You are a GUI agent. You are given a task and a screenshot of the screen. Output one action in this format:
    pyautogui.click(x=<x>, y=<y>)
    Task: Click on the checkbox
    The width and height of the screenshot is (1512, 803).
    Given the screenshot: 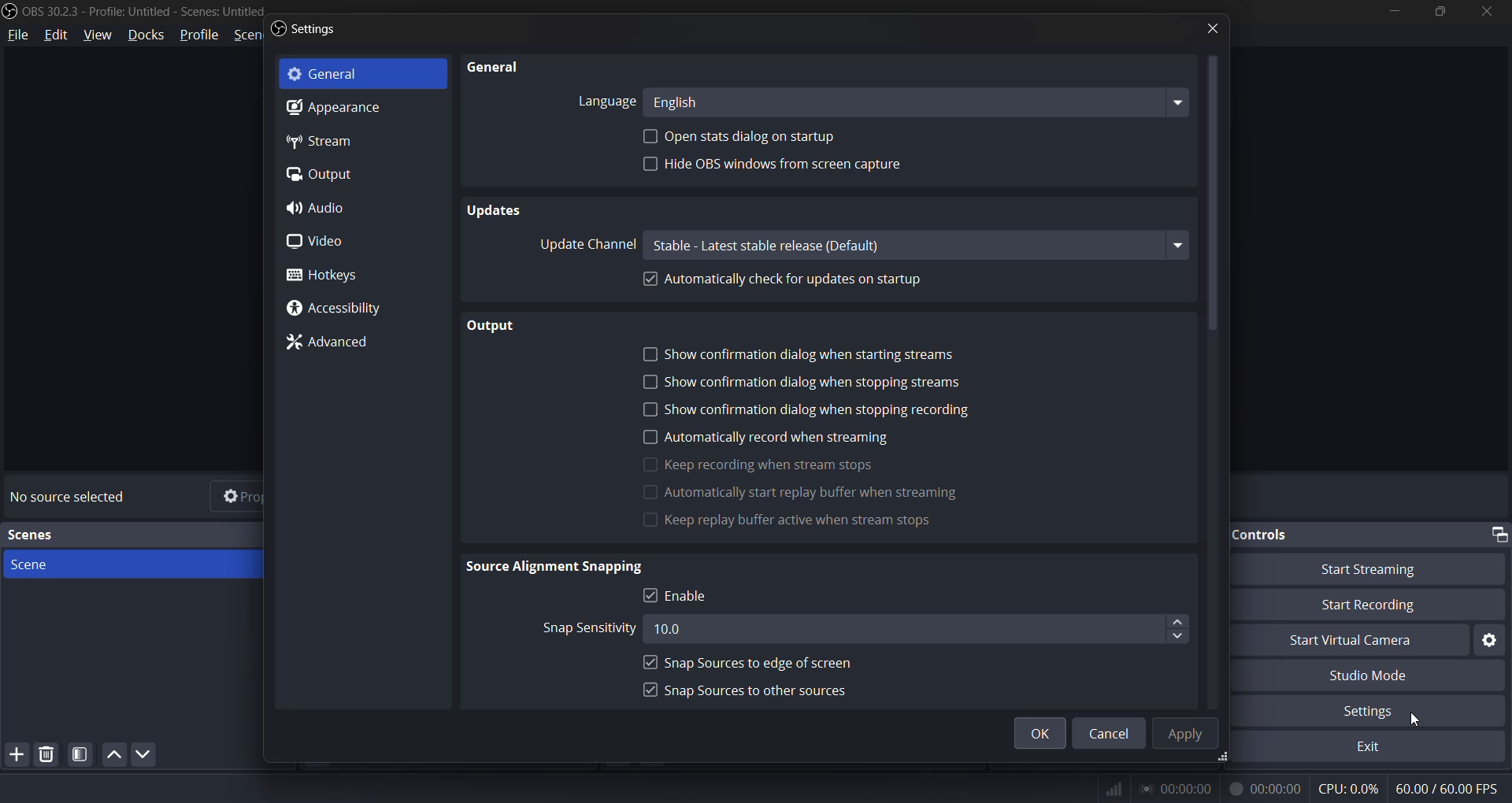 What is the action you would take?
    pyautogui.click(x=650, y=382)
    